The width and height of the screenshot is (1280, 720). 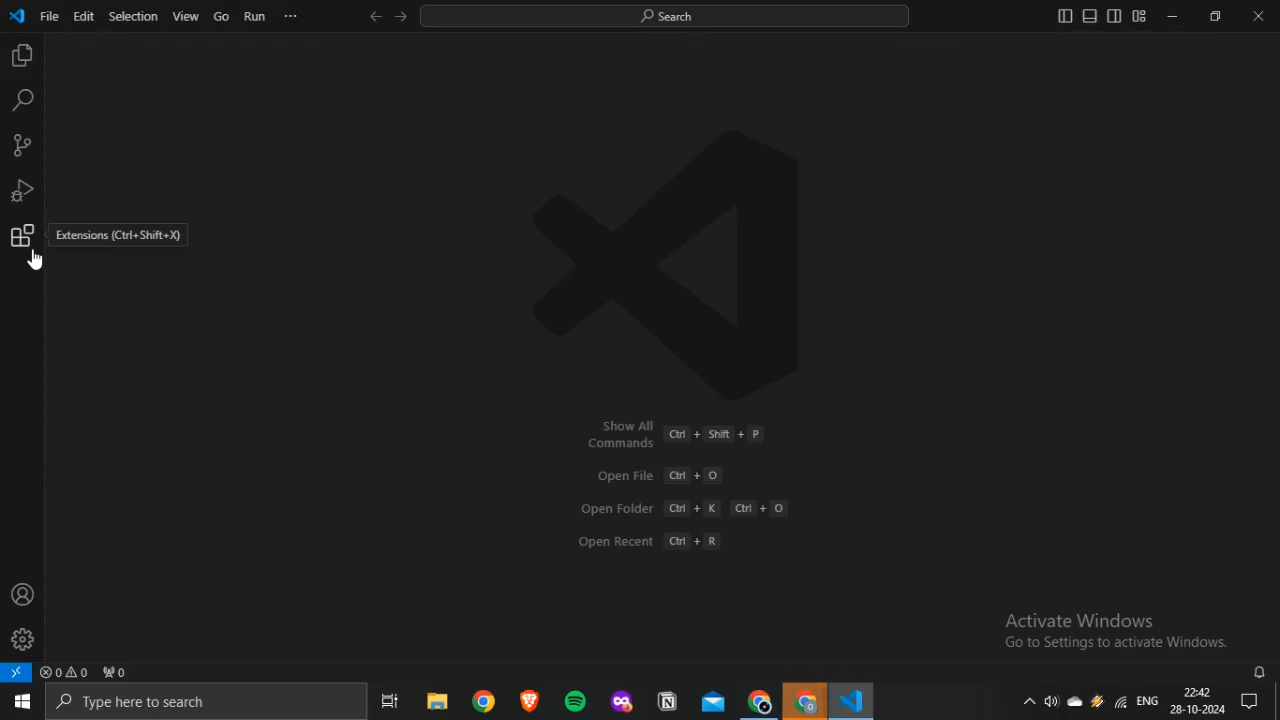 What do you see at coordinates (1251, 701) in the screenshot?
I see `Notifications` at bounding box center [1251, 701].